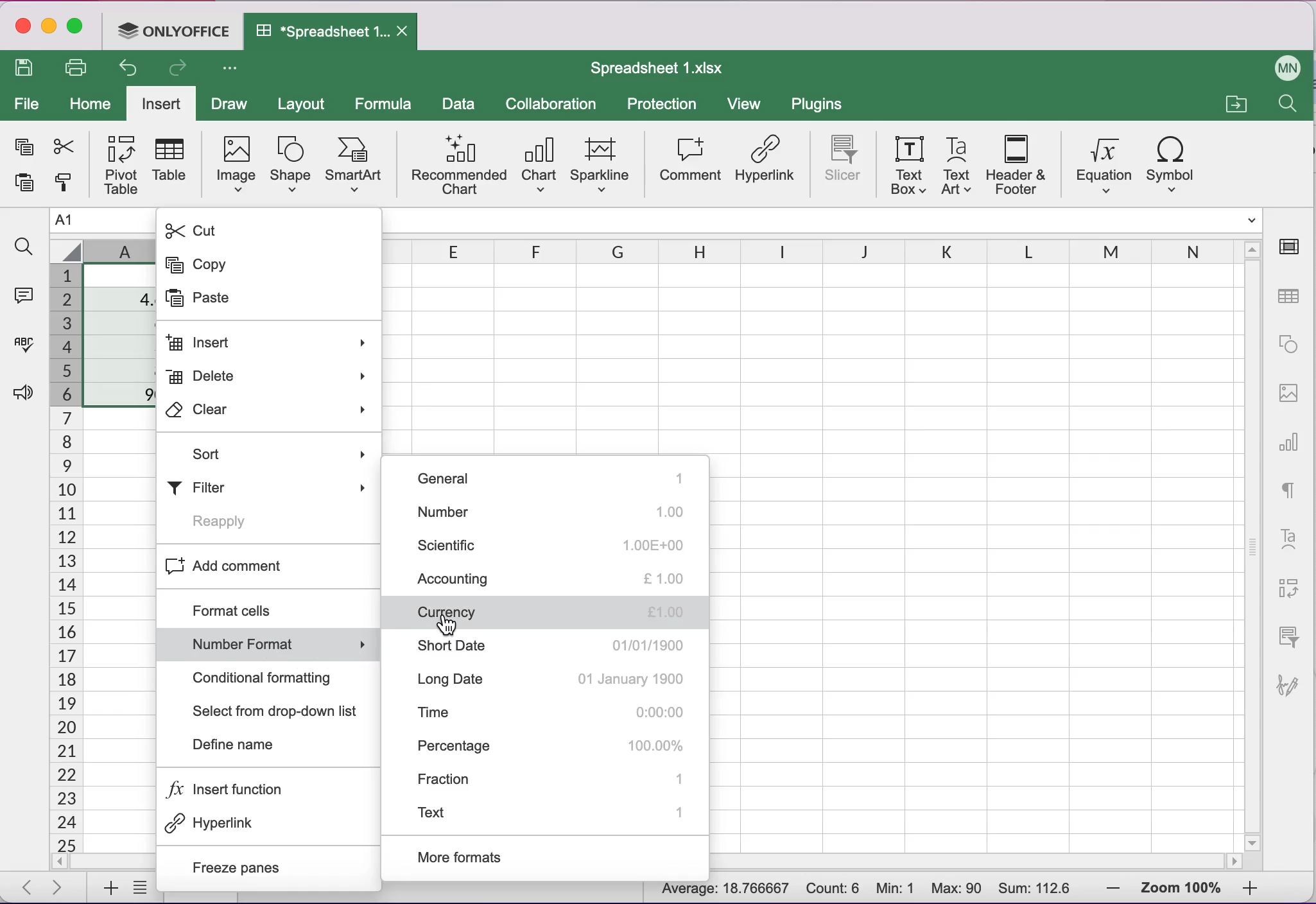 Image resolution: width=1316 pixels, height=904 pixels. What do you see at coordinates (1175, 164) in the screenshot?
I see `symbol` at bounding box center [1175, 164].